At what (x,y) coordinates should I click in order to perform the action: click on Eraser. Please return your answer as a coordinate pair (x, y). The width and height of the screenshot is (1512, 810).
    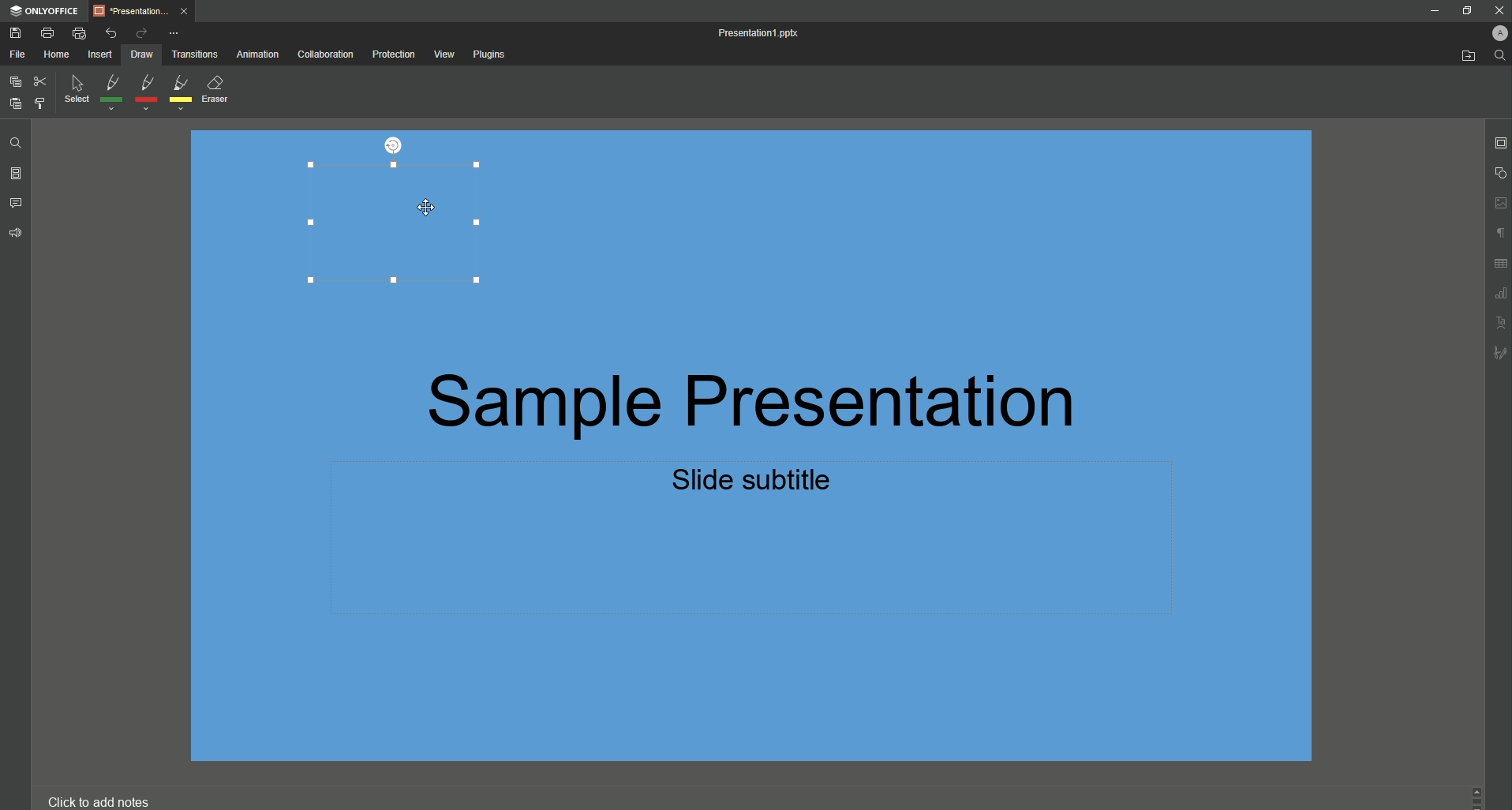
    Looking at the image, I should click on (221, 91).